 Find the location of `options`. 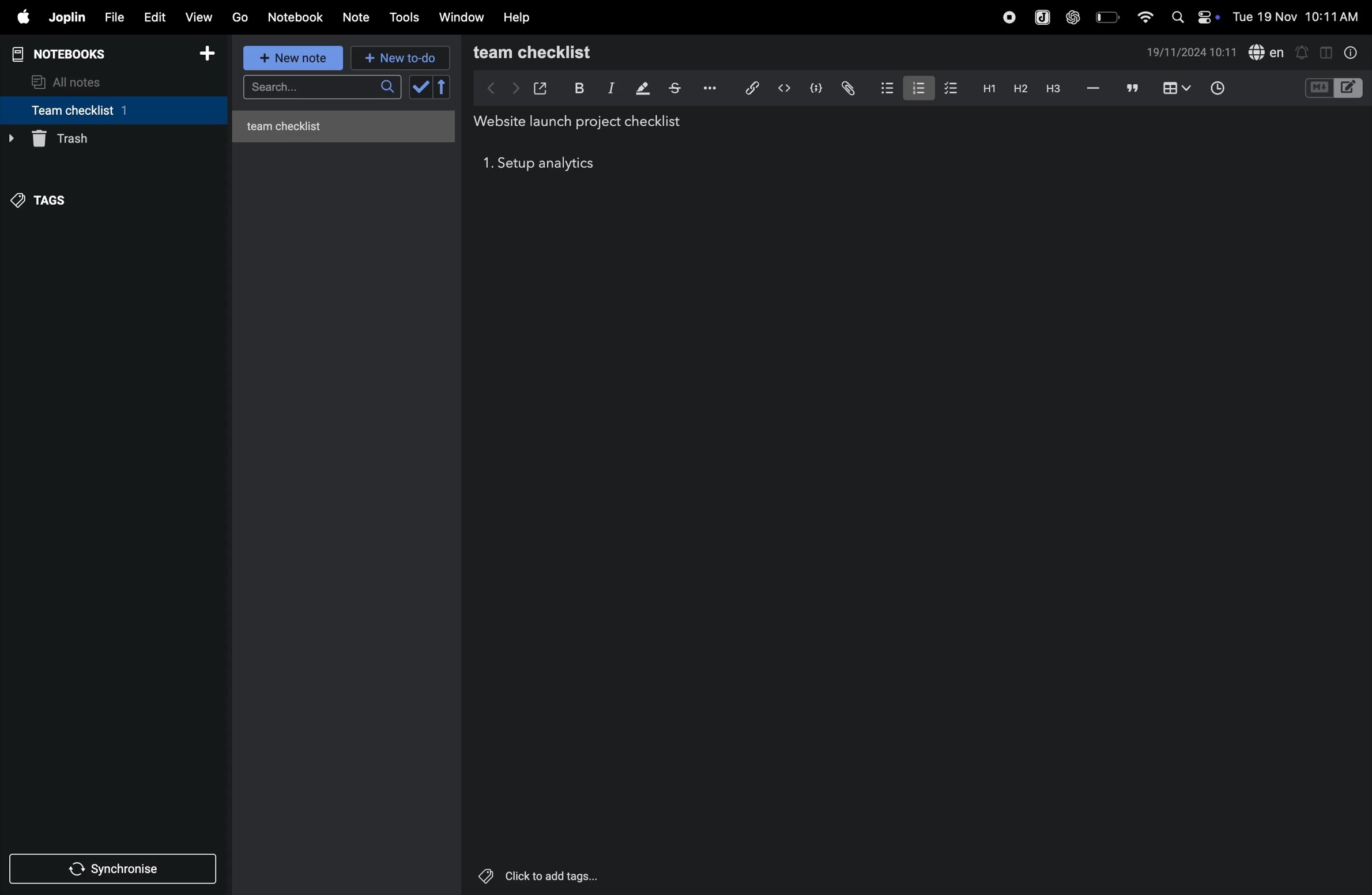

options is located at coordinates (708, 88).